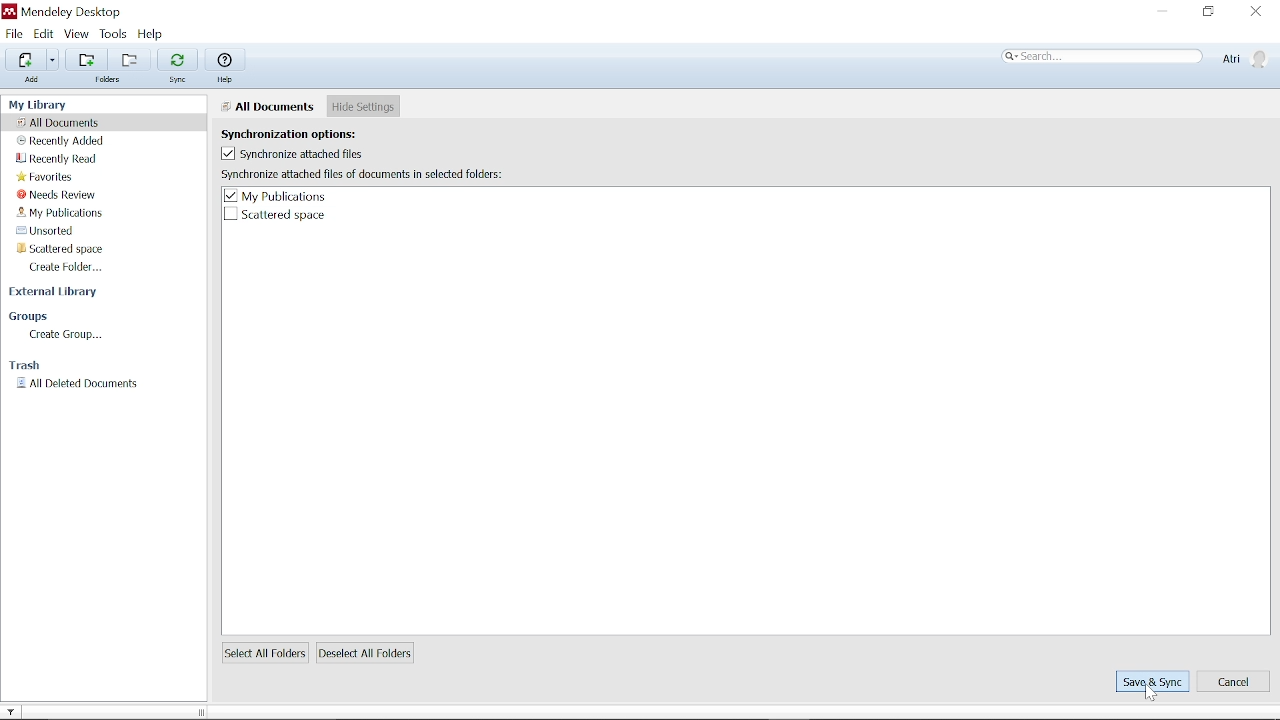 The height and width of the screenshot is (720, 1280). What do you see at coordinates (1209, 12) in the screenshot?
I see `Restore down` at bounding box center [1209, 12].